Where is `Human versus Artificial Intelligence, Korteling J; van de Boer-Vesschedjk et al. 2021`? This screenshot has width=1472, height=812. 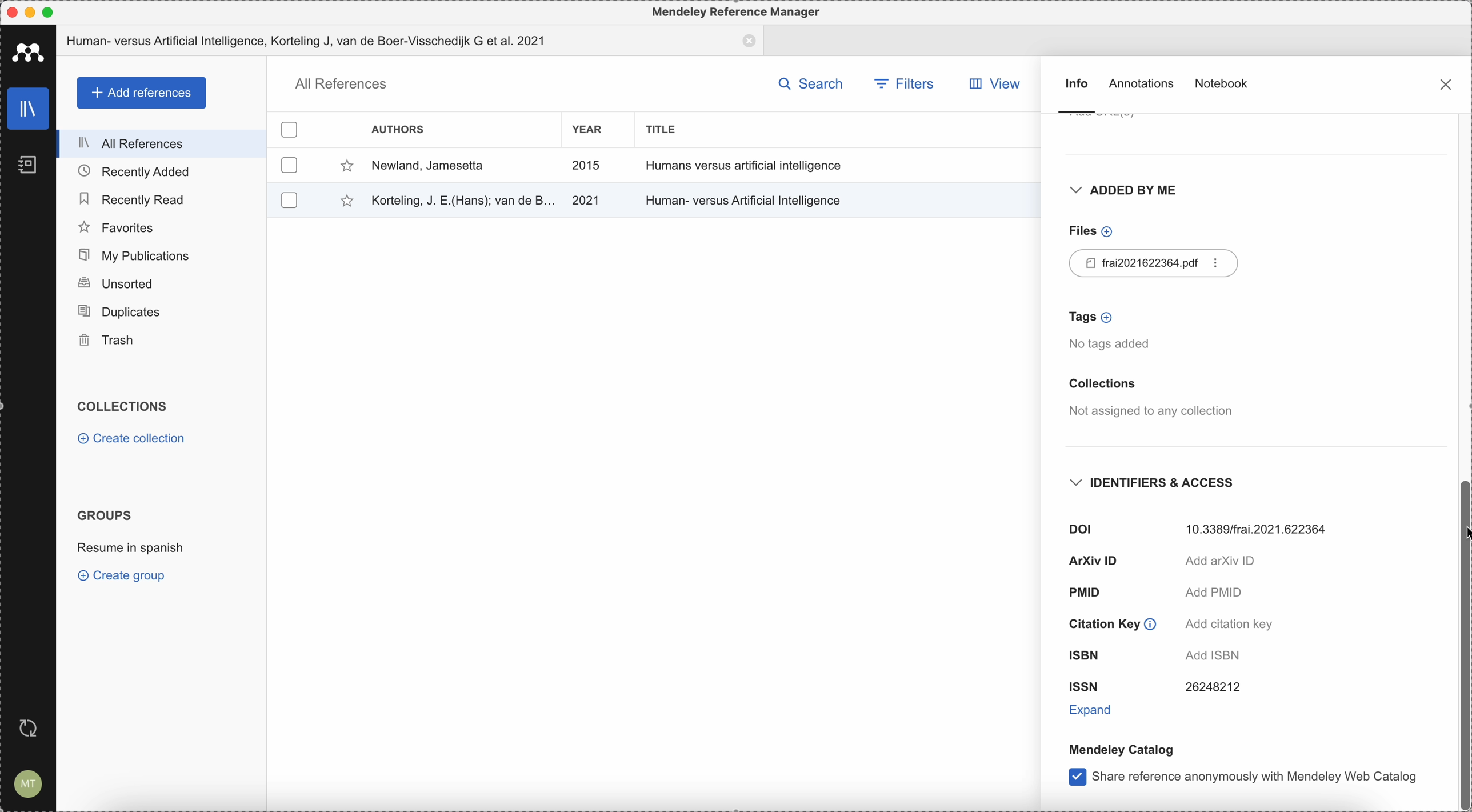 Human versus Artificial Intelligence, Korteling J; van de Boer-Vesschedjk et al. 2021 is located at coordinates (411, 42).